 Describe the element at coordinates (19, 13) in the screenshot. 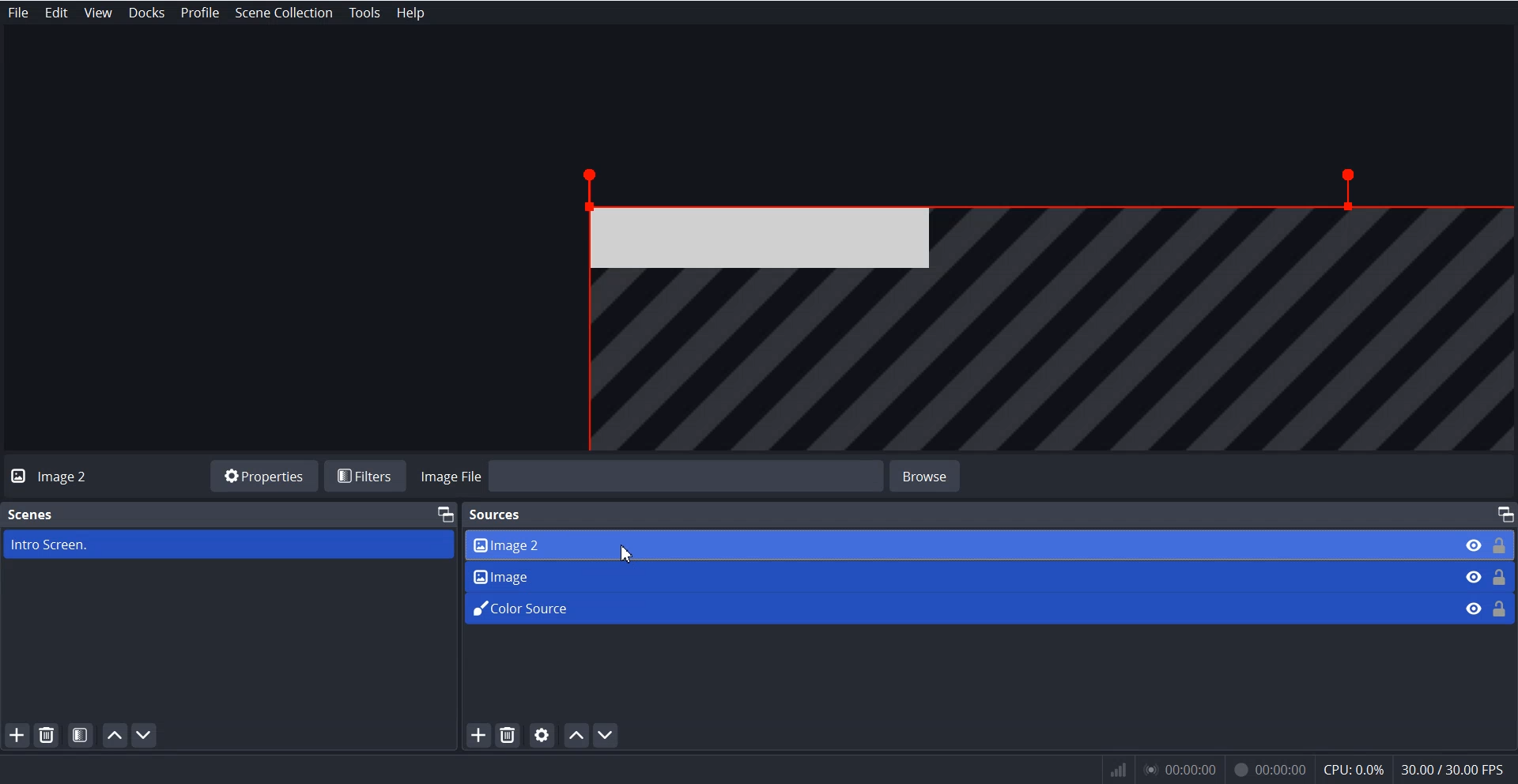

I see `File` at that location.